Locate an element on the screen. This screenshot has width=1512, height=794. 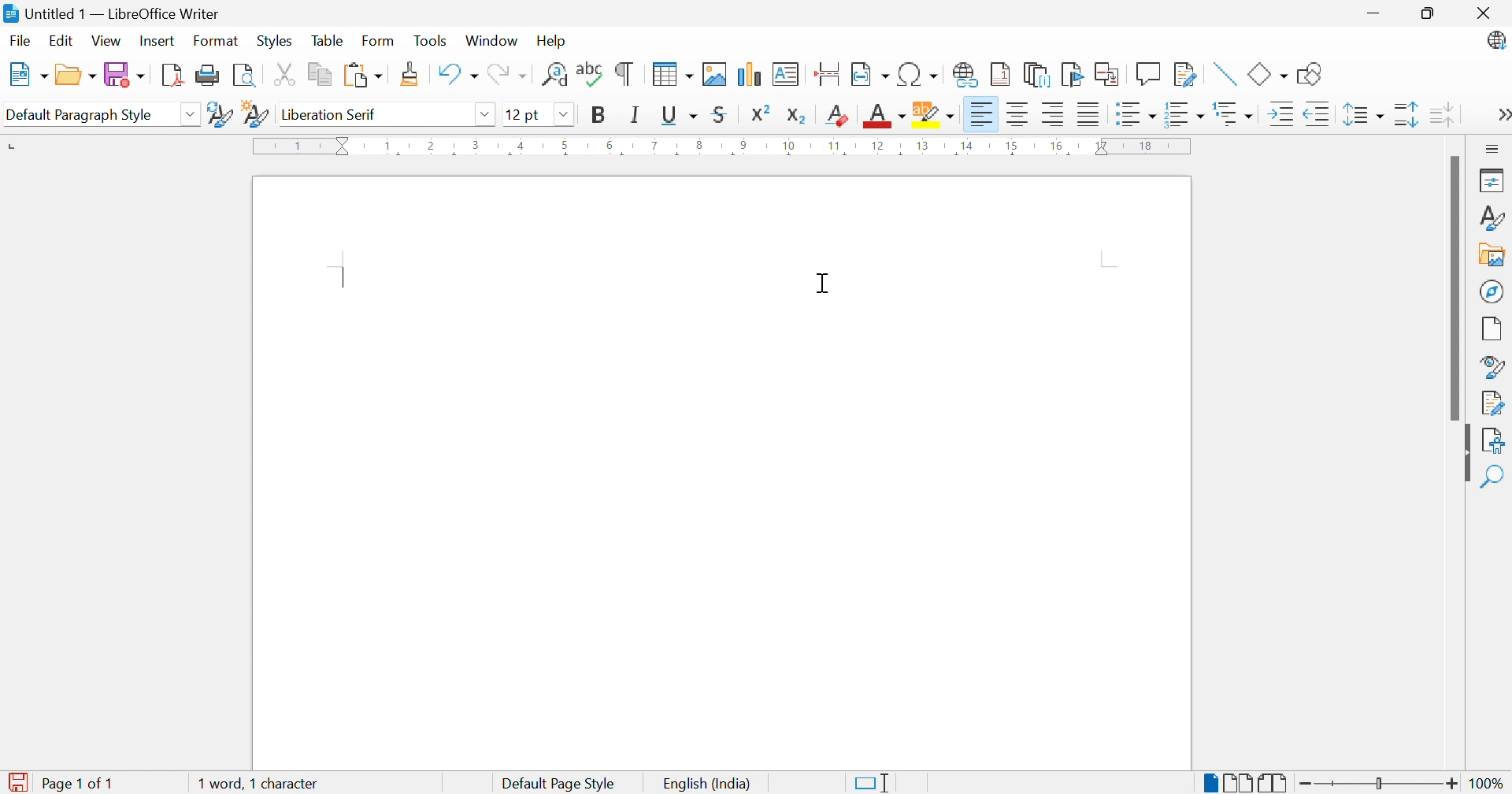
Navigator is located at coordinates (1491, 291).